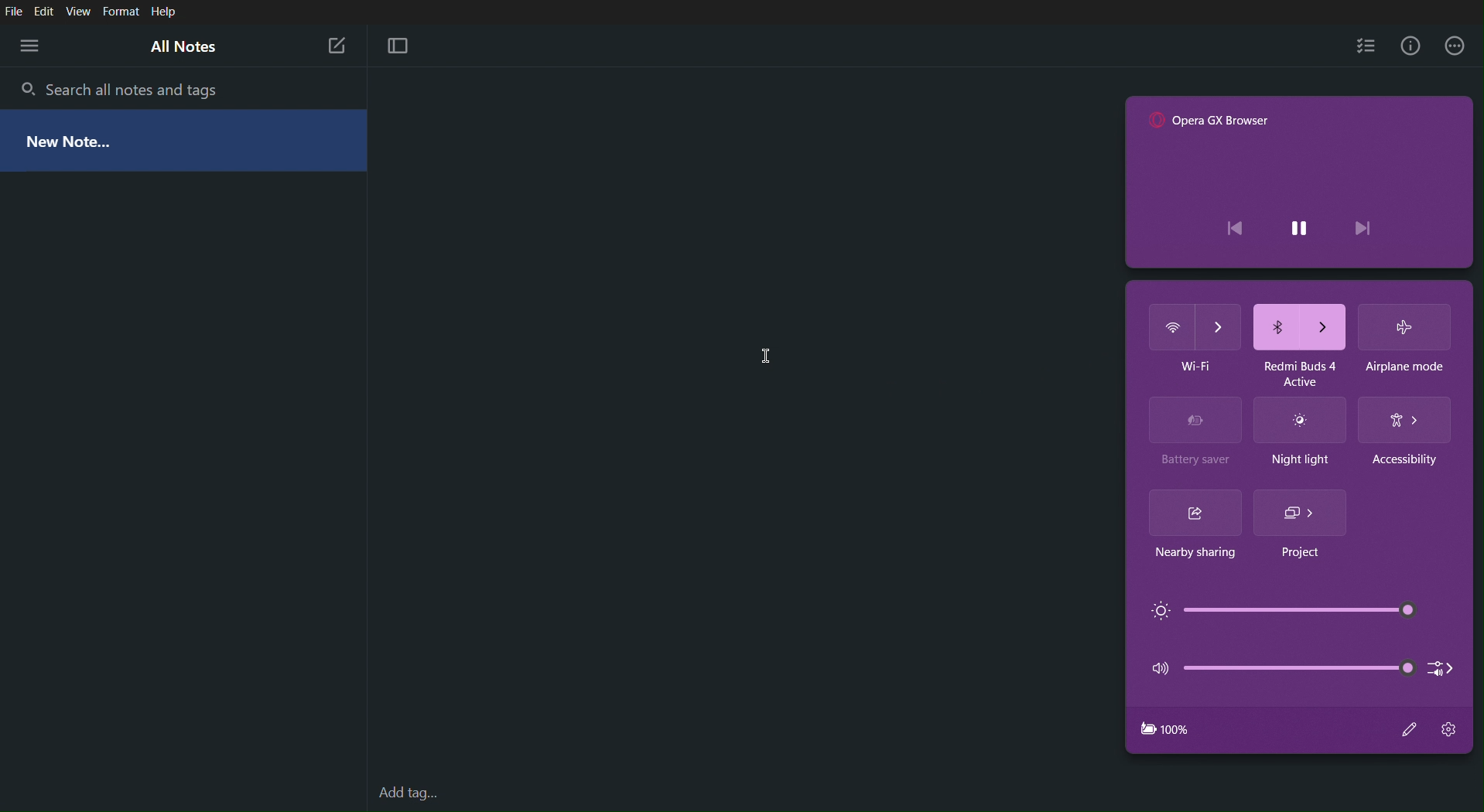  Describe the element at coordinates (1298, 223) in the screenshot. I see `pause` at that location.